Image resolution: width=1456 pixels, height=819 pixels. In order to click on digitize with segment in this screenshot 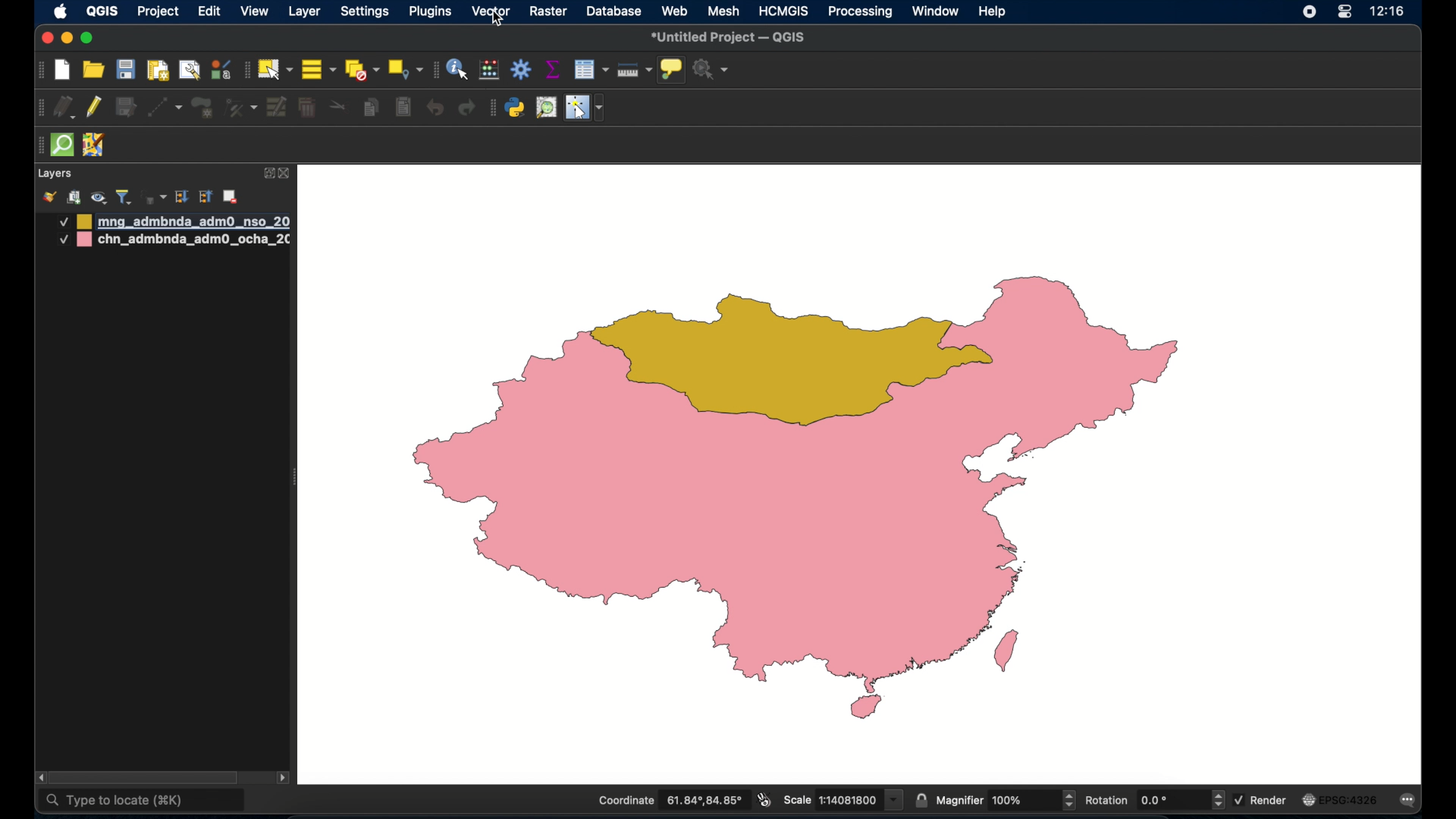, I will do `click(164, 106)`.